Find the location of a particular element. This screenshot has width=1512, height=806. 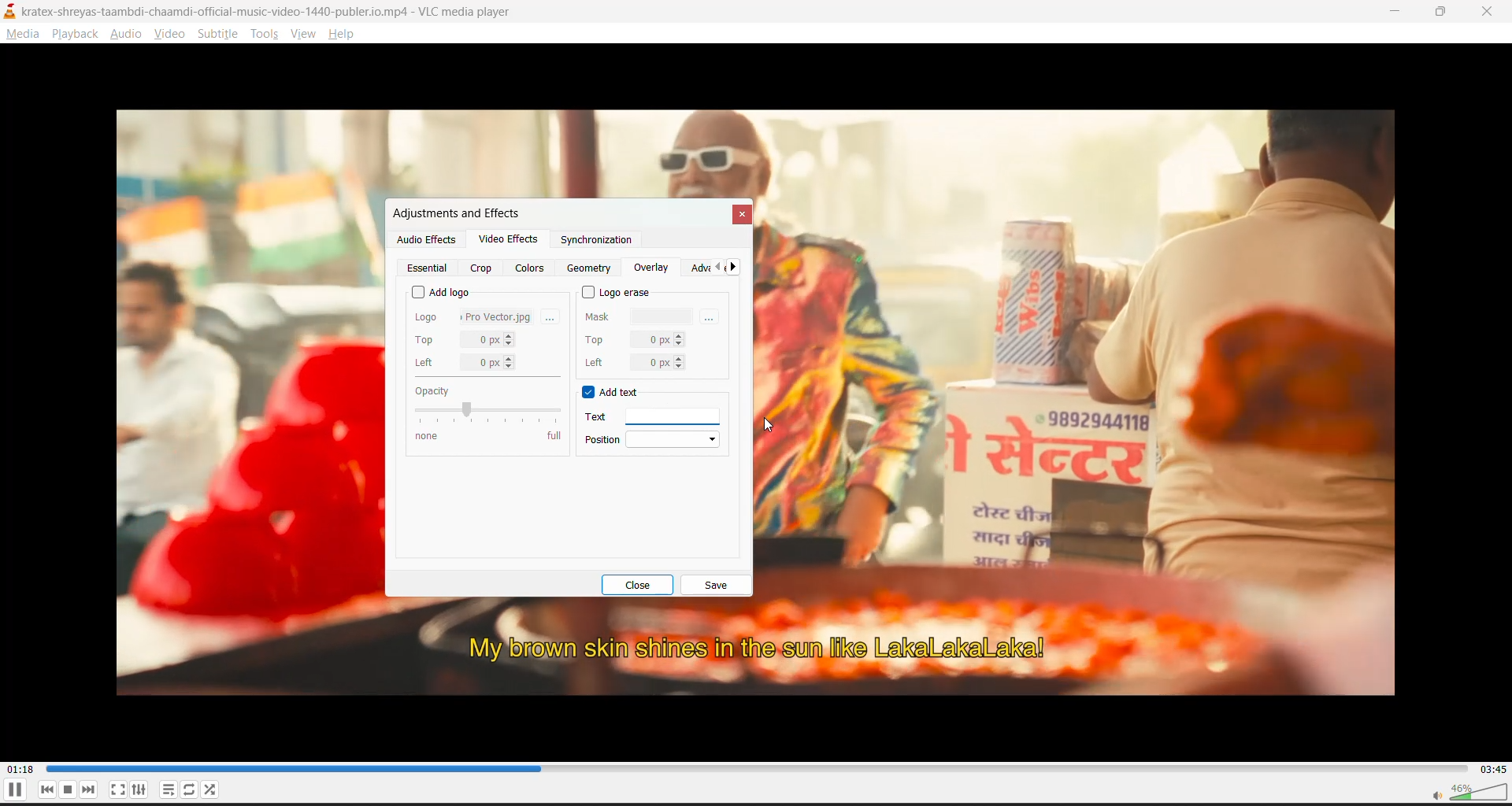

next is located at coordinates (739, 268).